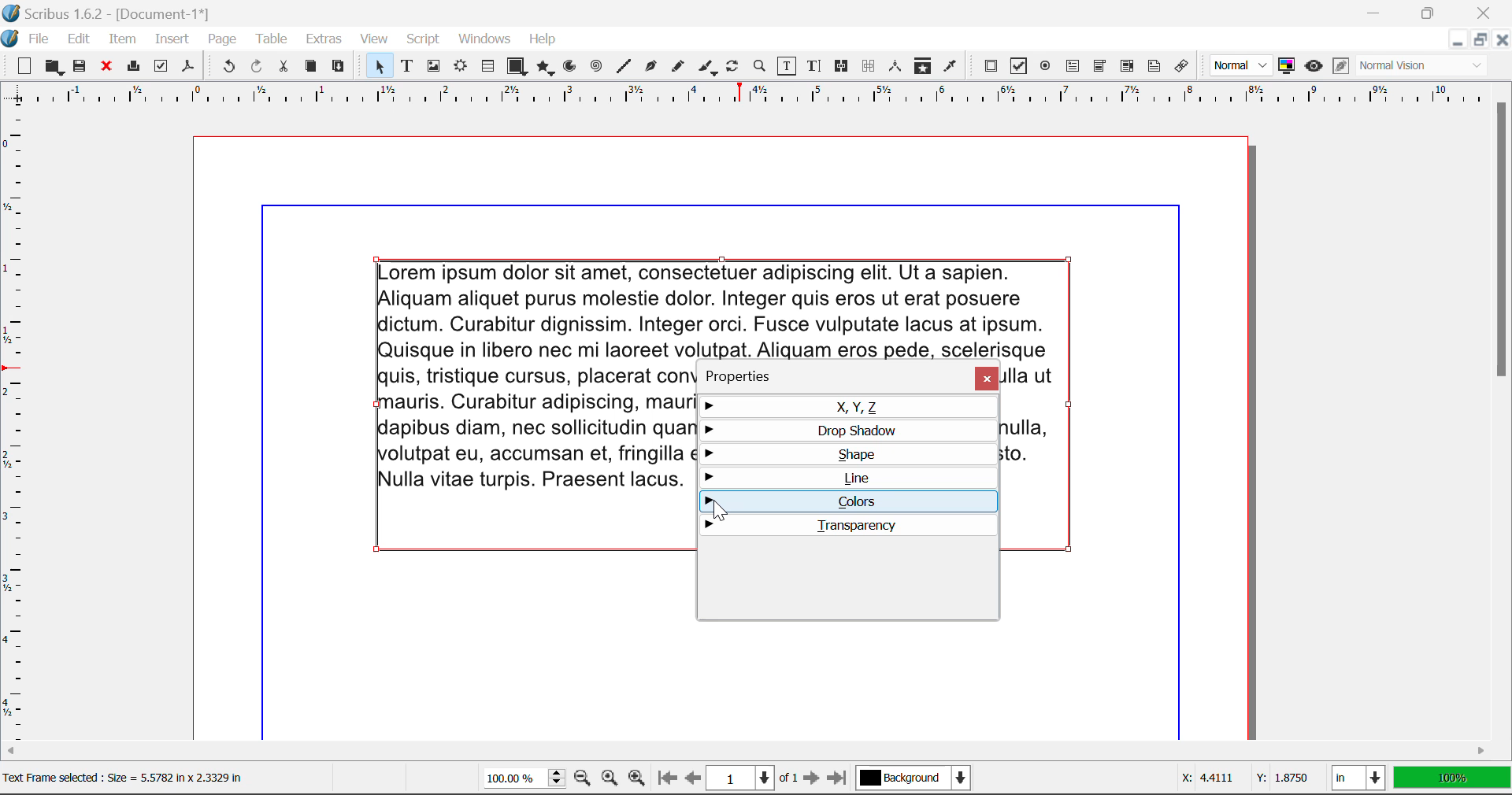  What do you see at coordinates (1341, 66) in the screenshot?
I see `Edit in Preview Mode` at bounding box center [1341, 66].